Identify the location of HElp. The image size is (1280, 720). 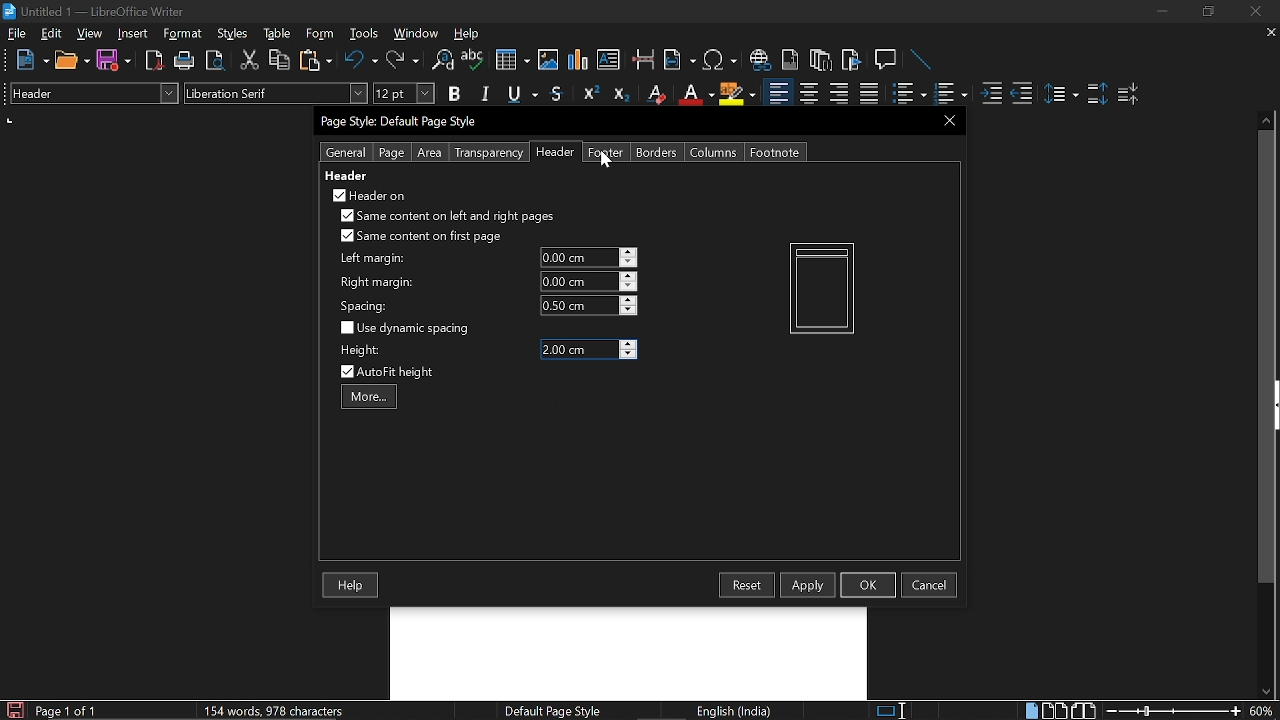
(468, 33).